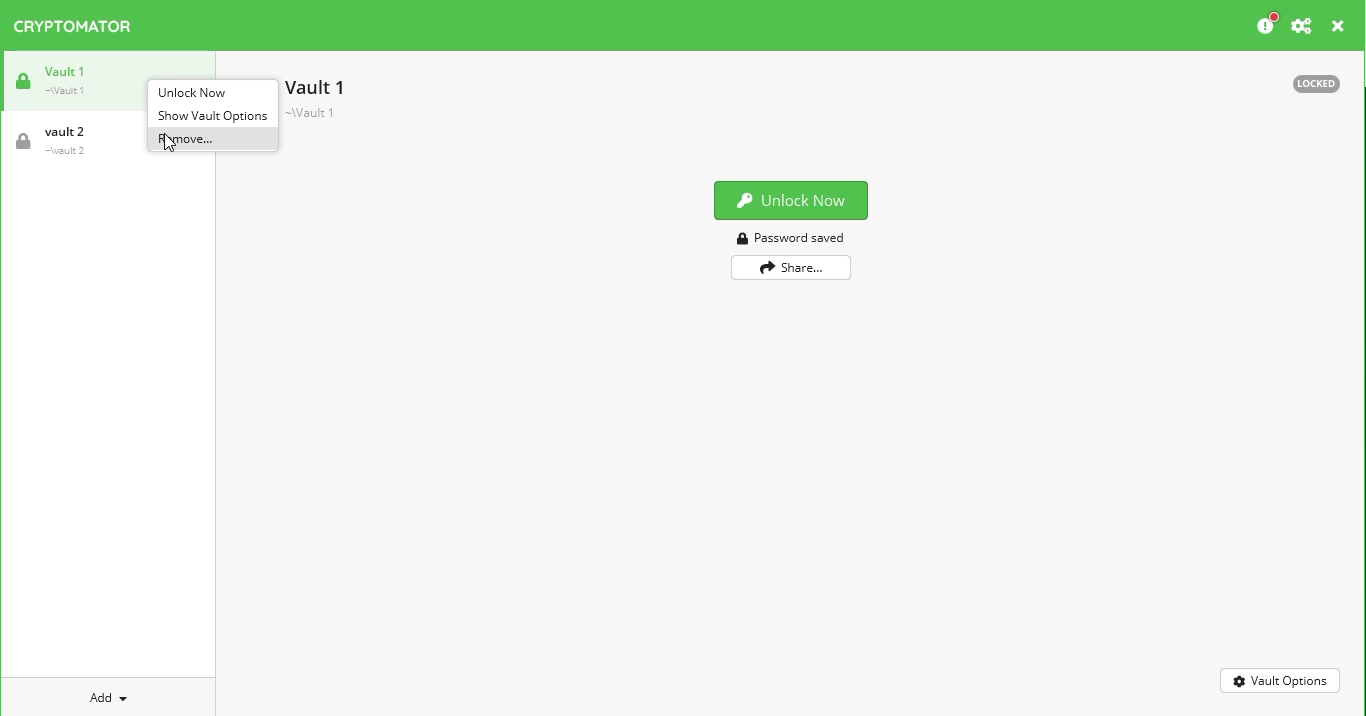 Image resolution: width=1366 pixels, height=716 pixels. Describe the element at coordinates (74, 26) in the screenshot. I see `cryptomator` at that location.